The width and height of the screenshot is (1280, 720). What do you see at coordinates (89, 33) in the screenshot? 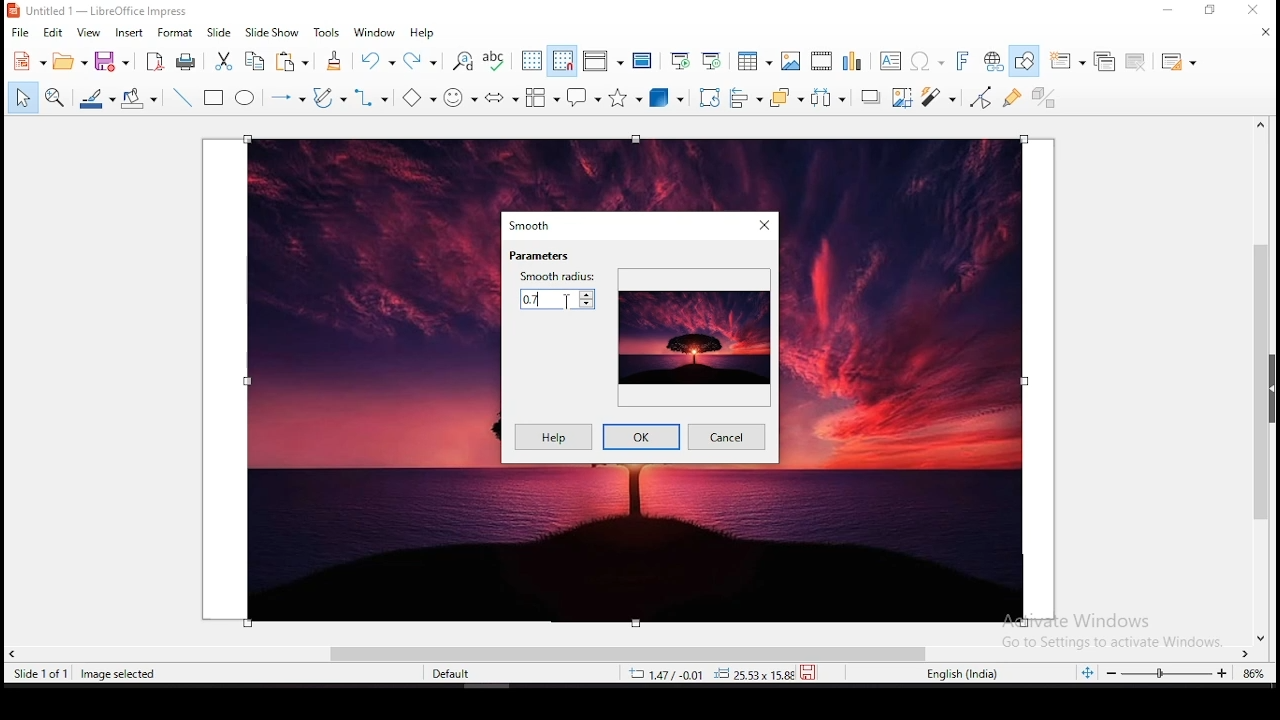
I see `view` at bounding box center [89, 33].